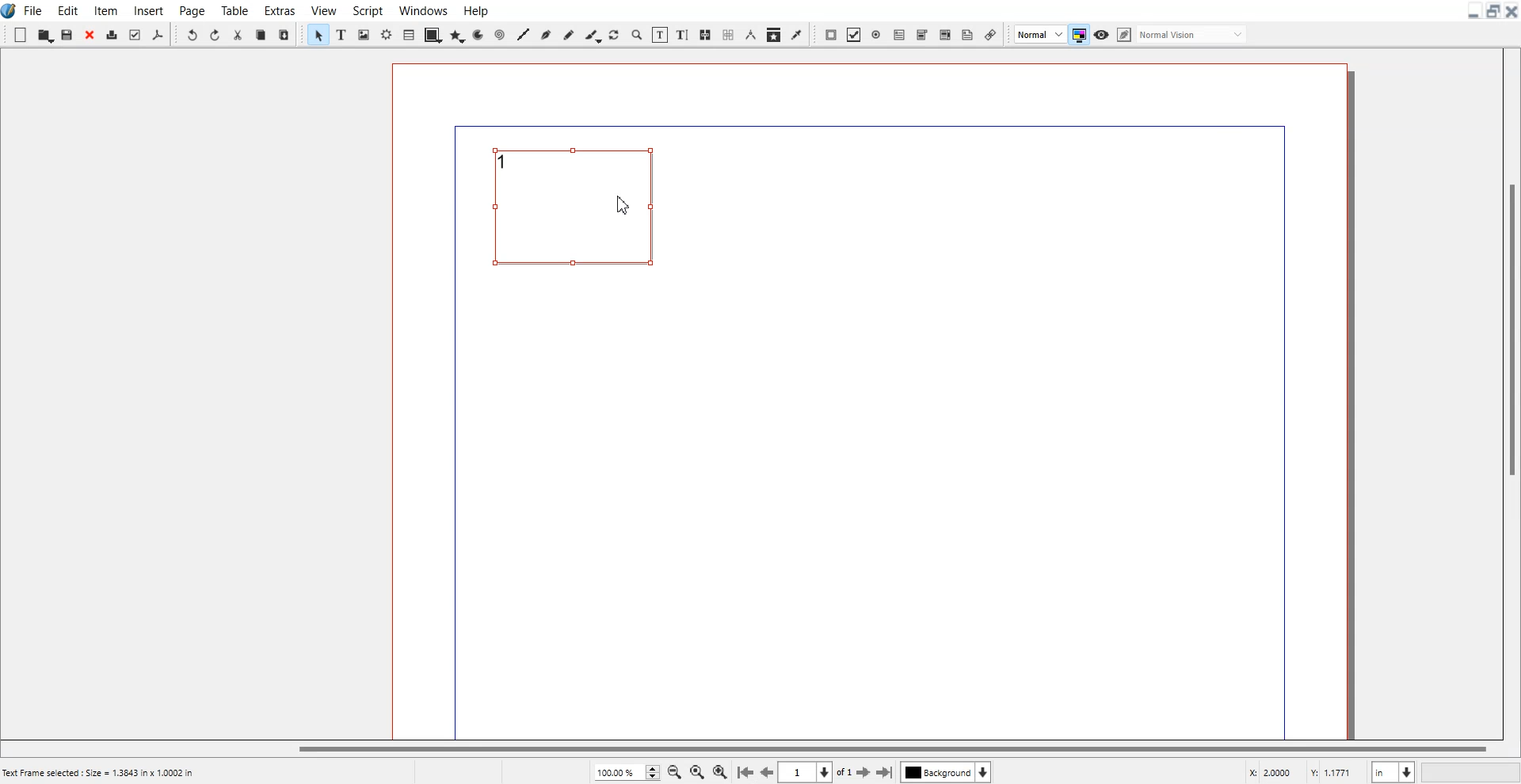 The height and width of the screenshot is (784, 1521). Describe the element at coordinates (705, 35) in the screenshot. I see `Link Text Frame` at that location.